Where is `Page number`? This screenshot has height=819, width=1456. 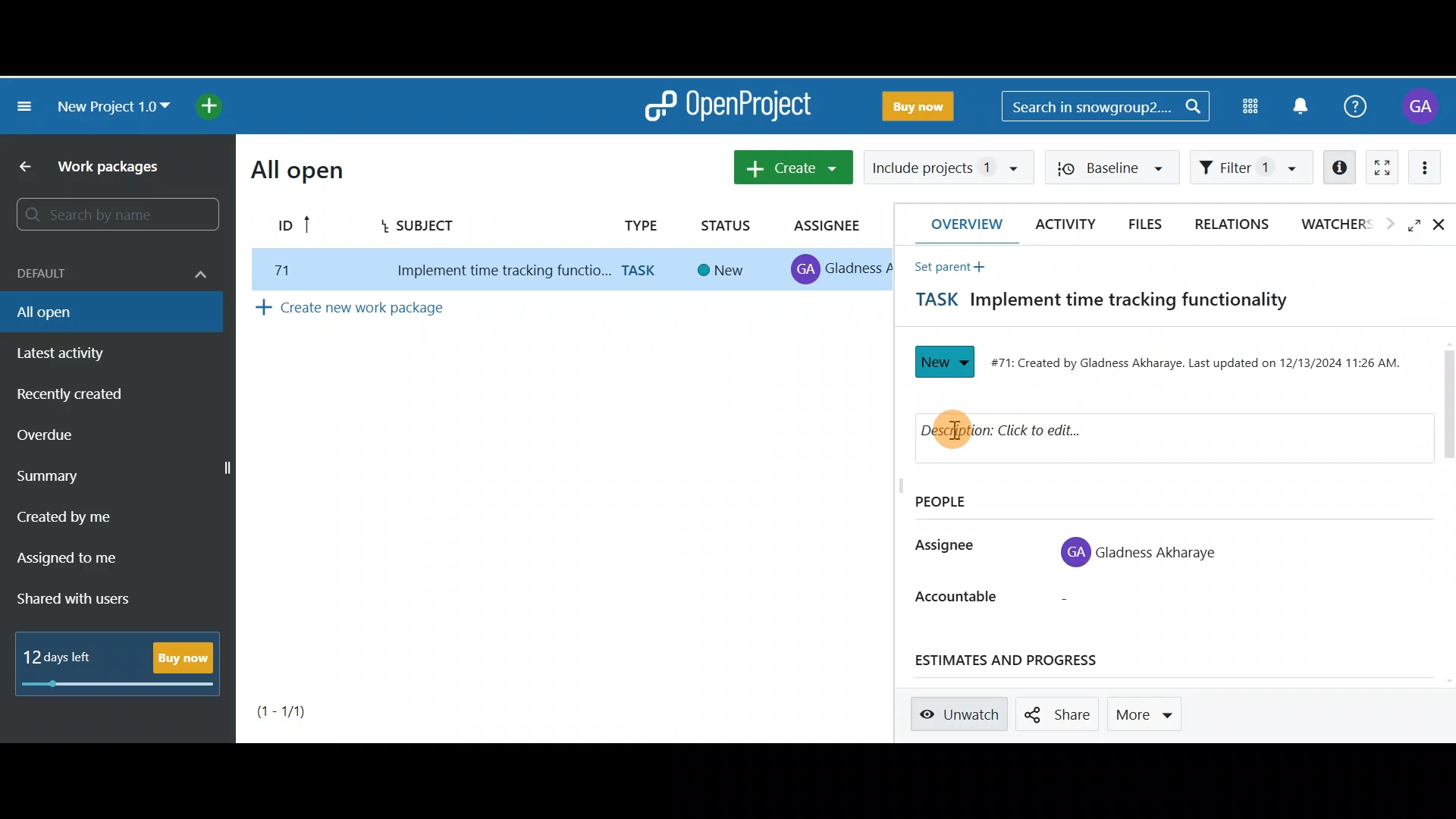
Page number is located at coordinates (305, 711).